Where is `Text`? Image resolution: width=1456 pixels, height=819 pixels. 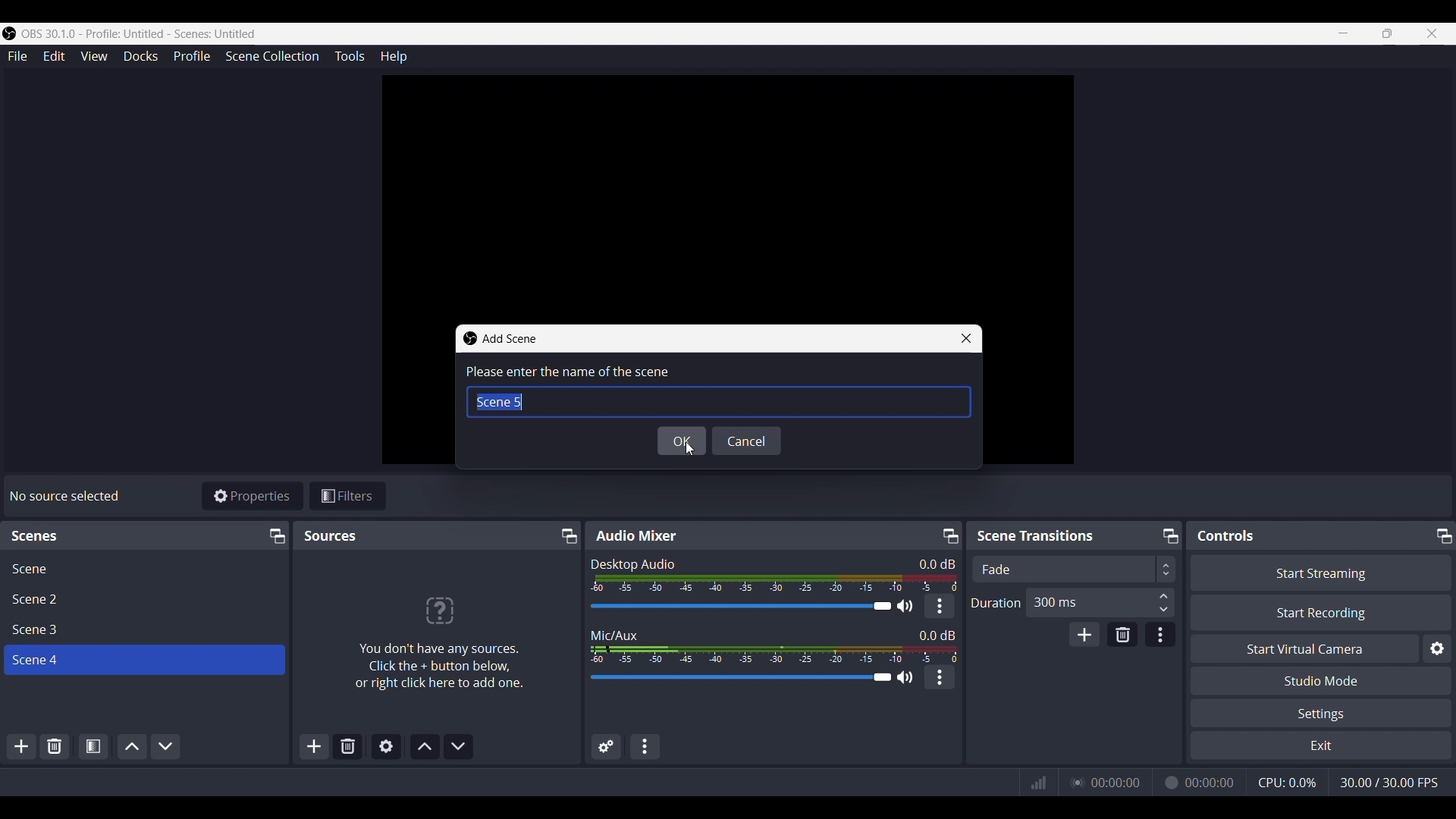 Text is located at coordinates (937, 563).